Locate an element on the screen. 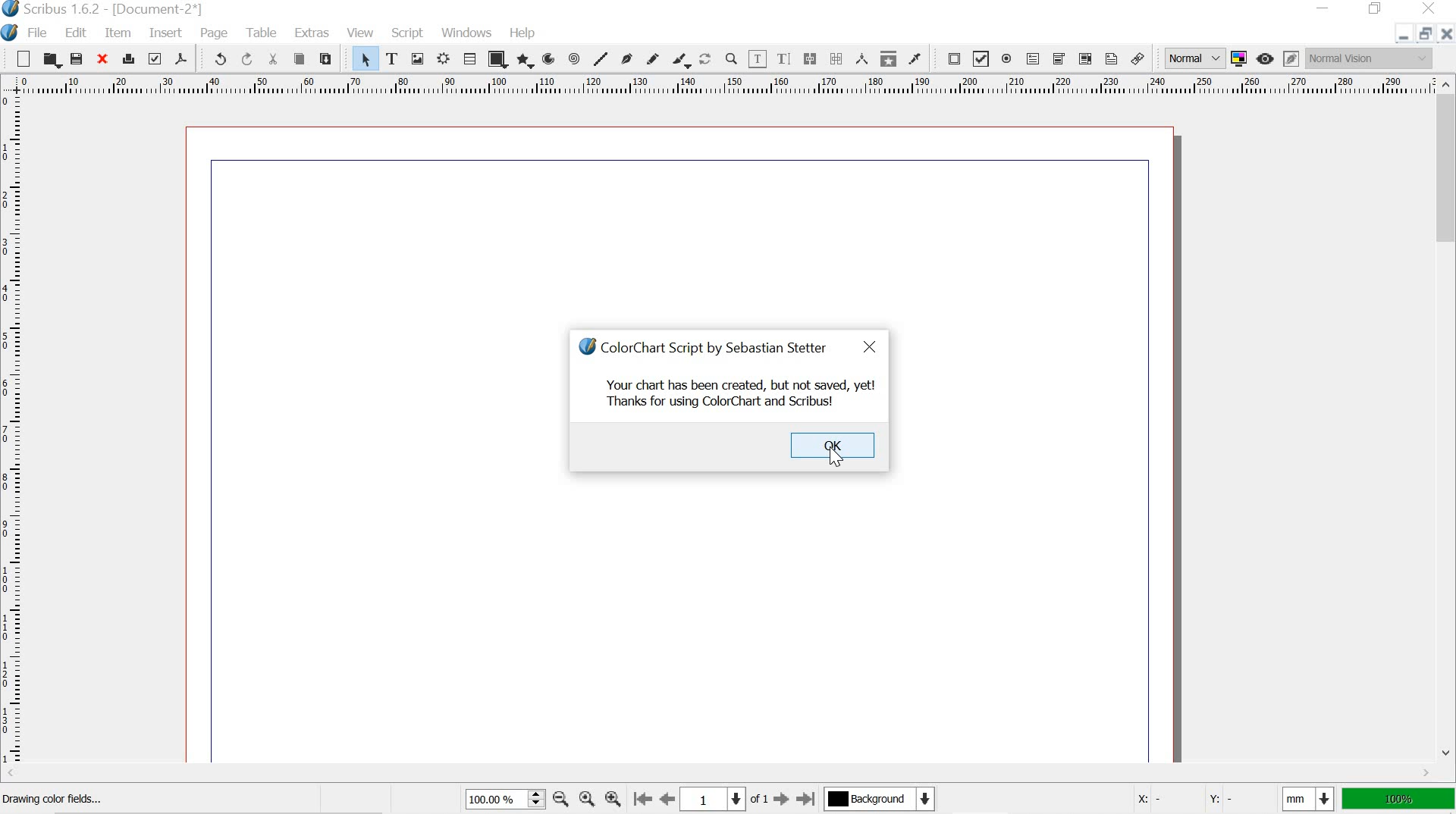  zoom out is located at coordinates (561, 801).